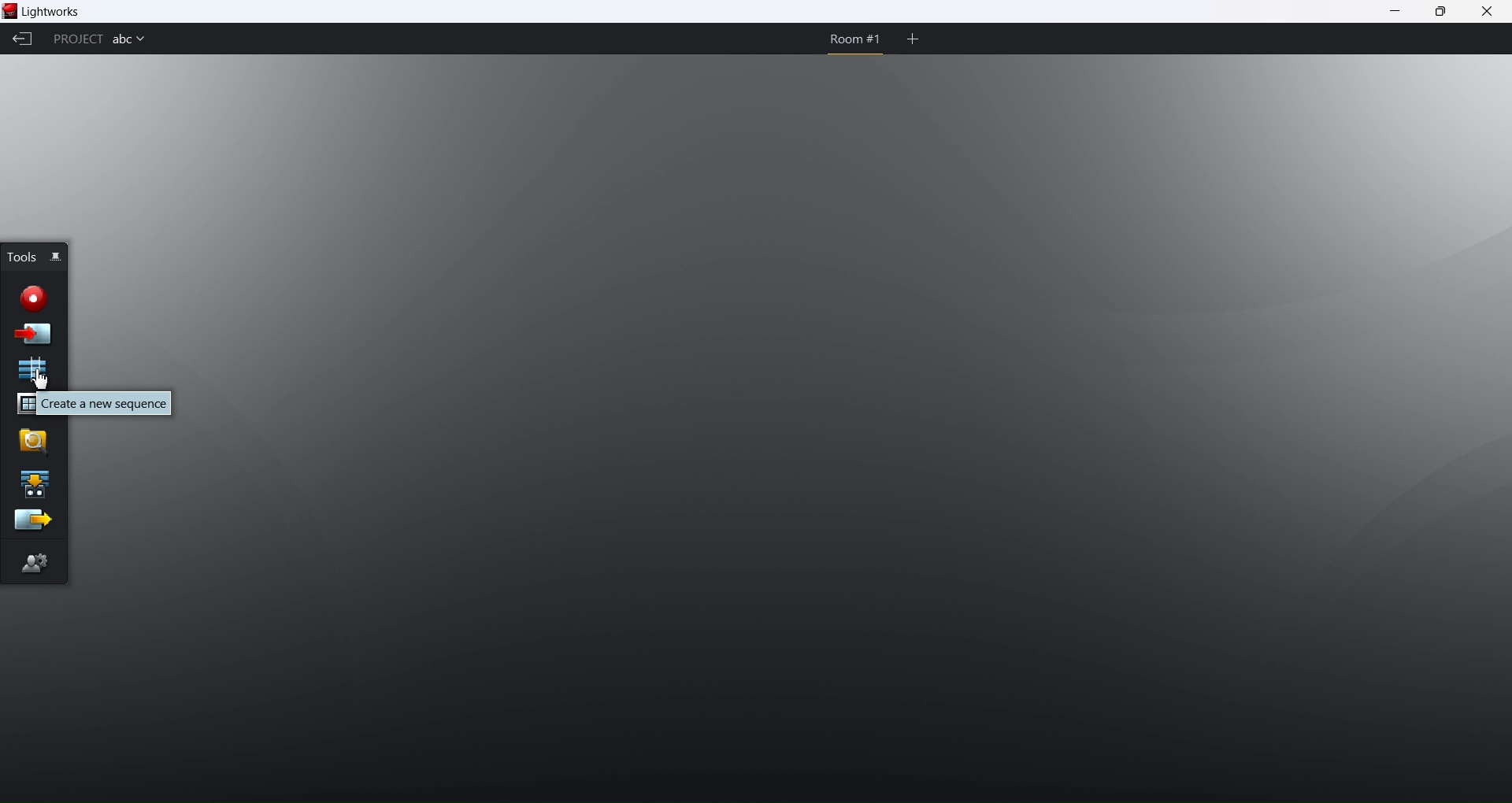 Image resolution: width=1512 pixels, height=803 pixels. I want to click on add room, so click(913, 43).